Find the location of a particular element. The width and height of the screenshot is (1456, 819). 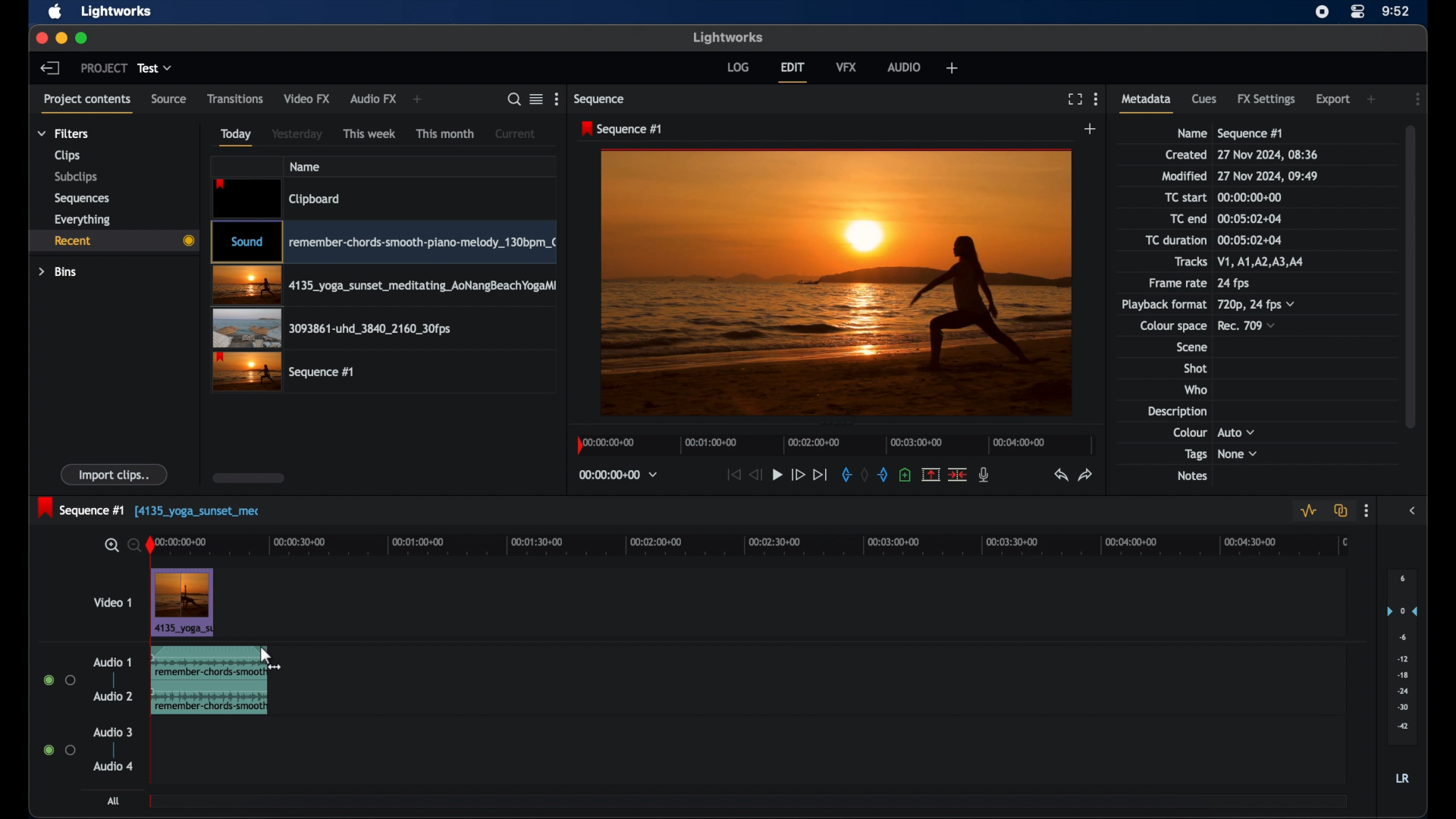

description is located at coordinates (1175, 411).